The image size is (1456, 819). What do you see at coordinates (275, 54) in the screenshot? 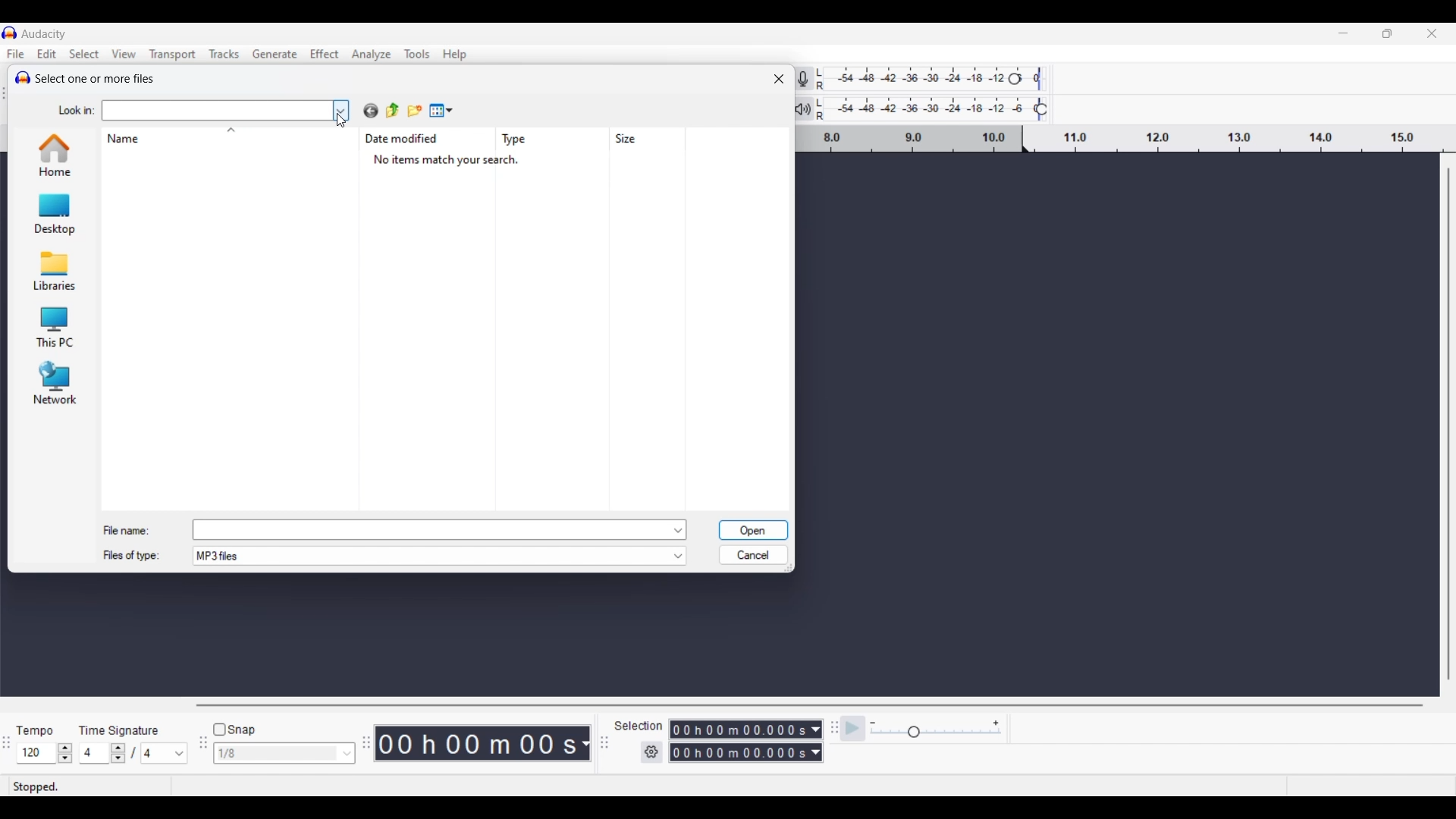
I see `Generate menu` at bounding box center [275, 54].